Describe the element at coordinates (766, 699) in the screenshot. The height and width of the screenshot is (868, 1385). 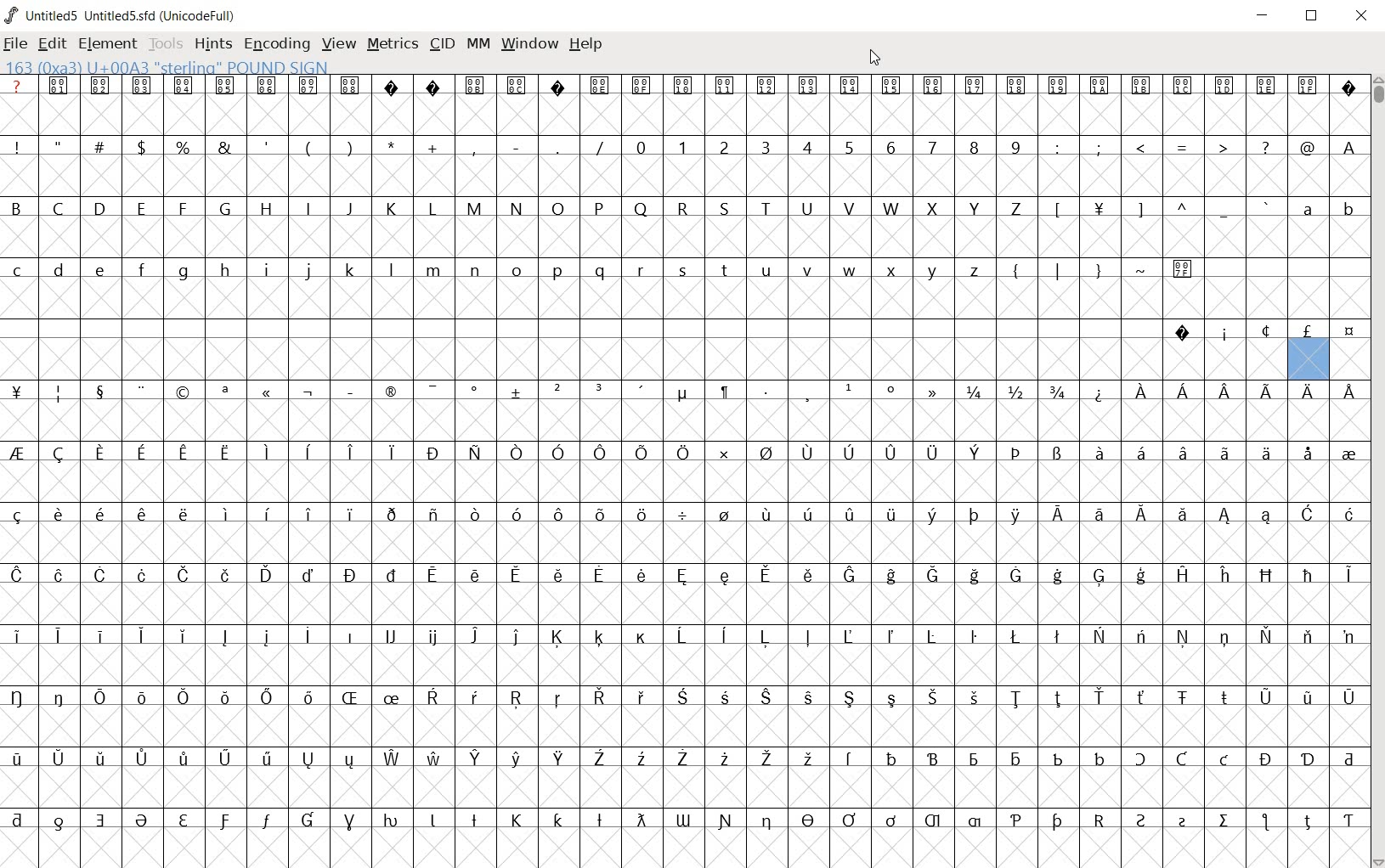
I see `Symbol` at that location.